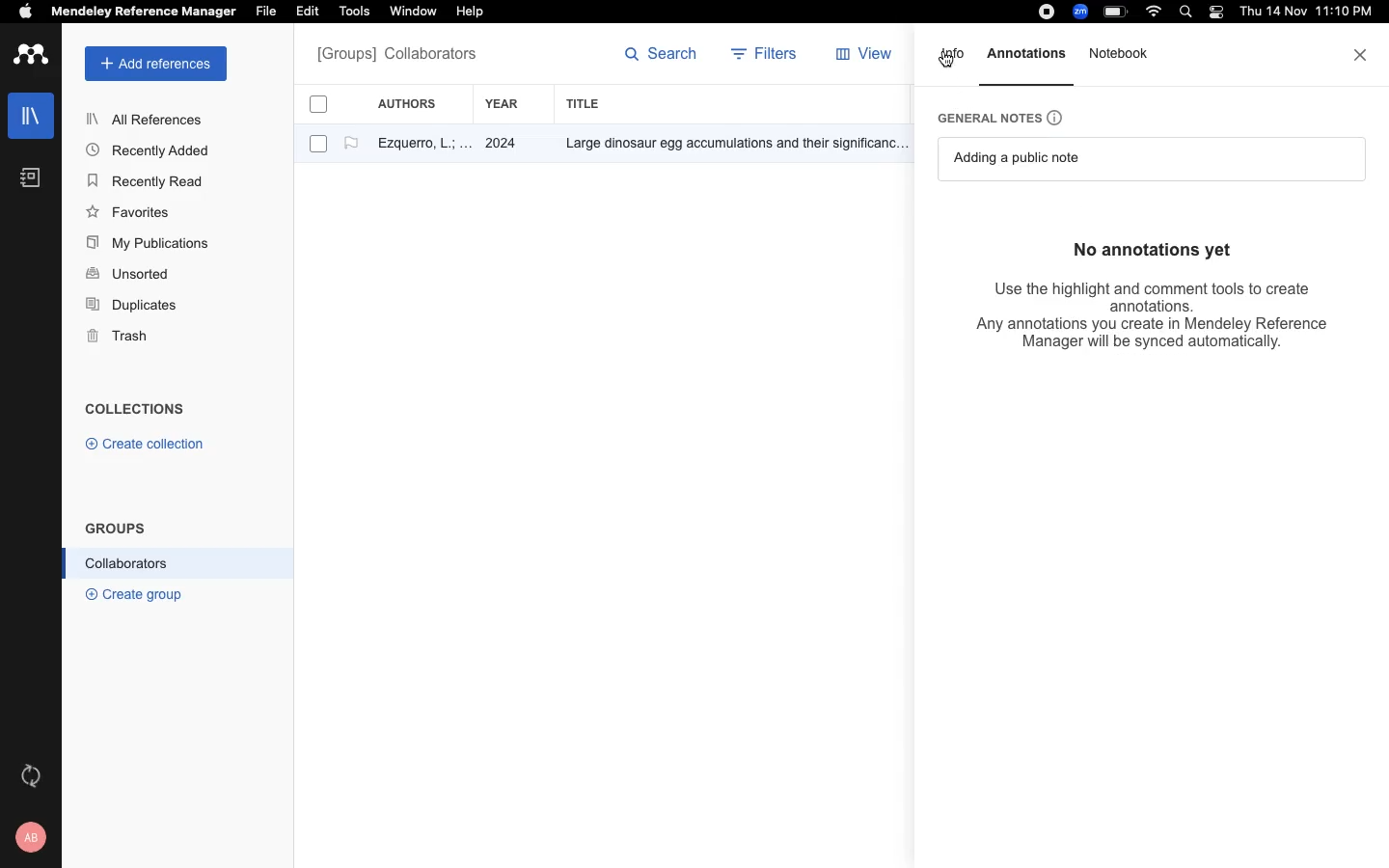 This screenshot has width=1389, height=868. What do you see at coordinates (949, 58) in the screenshot?
I see `cursor` at bounding box center [949, 58].